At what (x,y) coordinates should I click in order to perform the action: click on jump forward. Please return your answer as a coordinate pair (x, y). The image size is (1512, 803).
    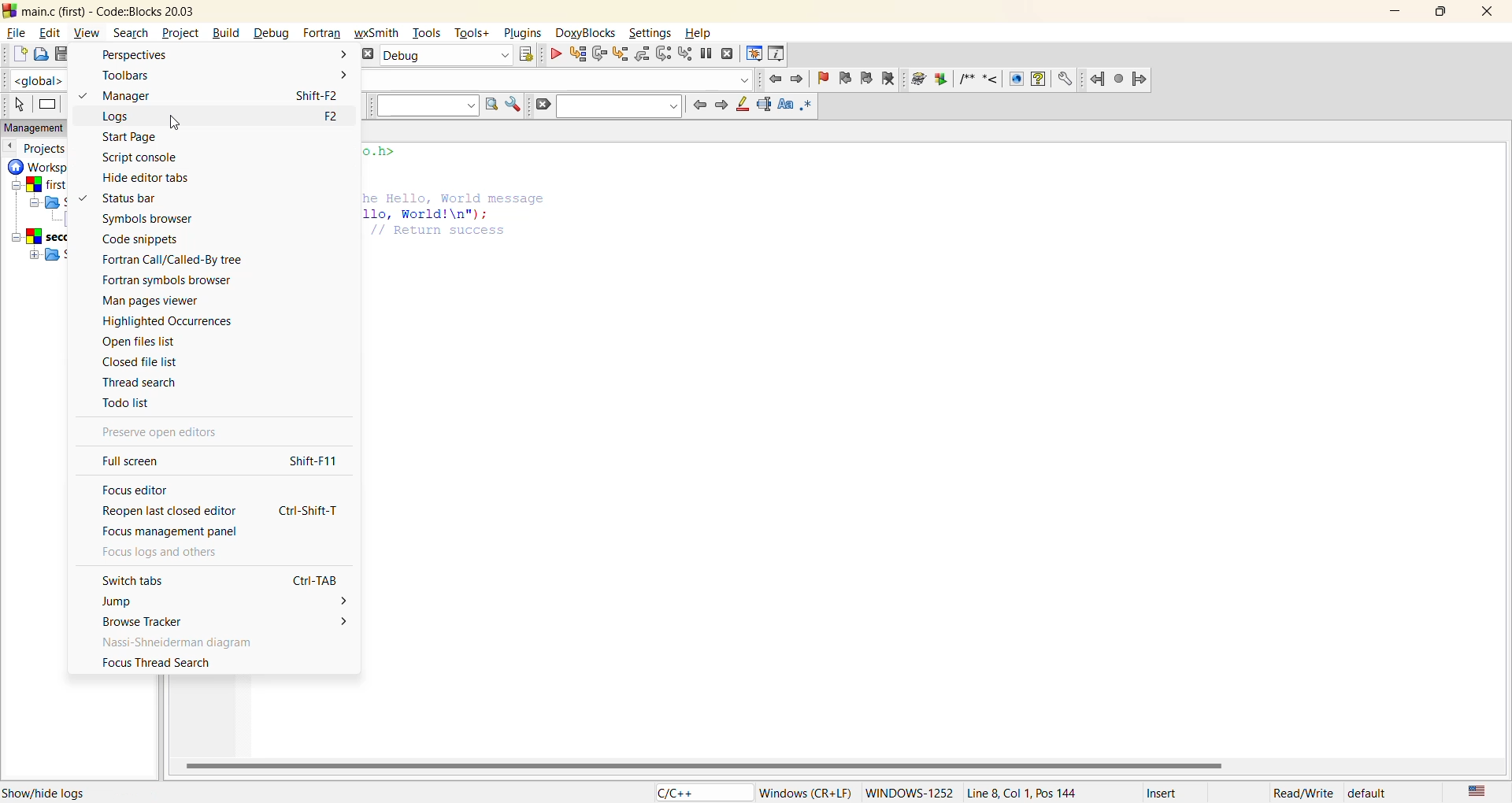
    Looking at the image, I should click on (802, 78).